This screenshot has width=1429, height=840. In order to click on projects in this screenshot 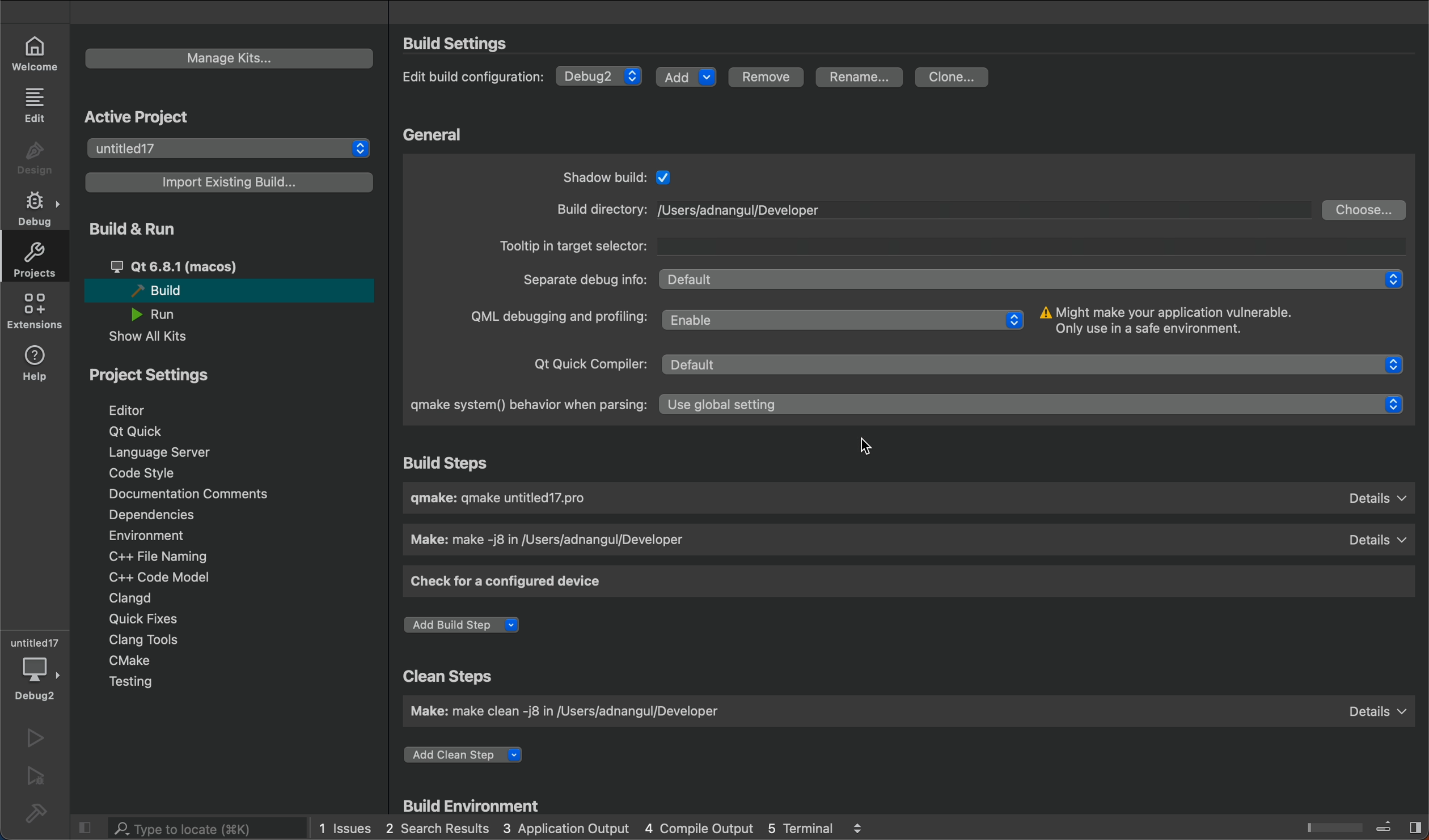, I will do `click(37, 261)`.